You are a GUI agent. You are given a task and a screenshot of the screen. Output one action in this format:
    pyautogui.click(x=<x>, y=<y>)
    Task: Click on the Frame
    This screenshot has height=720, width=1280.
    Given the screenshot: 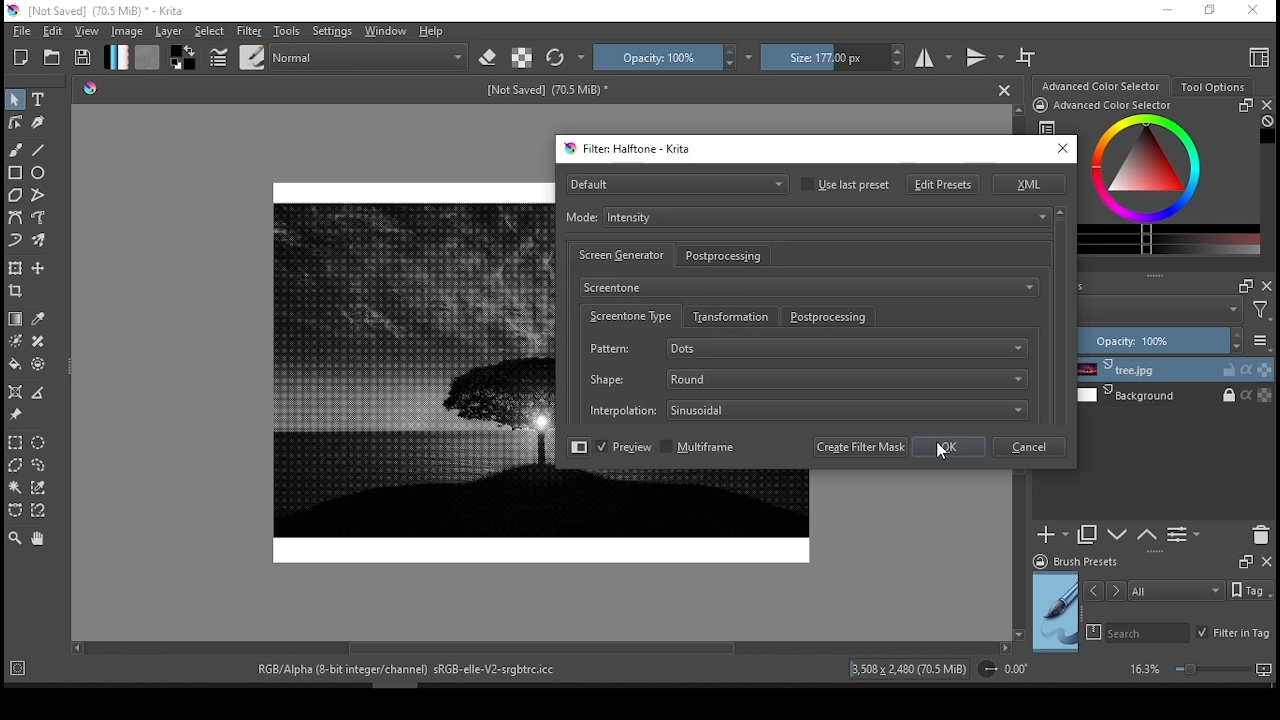 What is the action you would take?
    pyautogui.click(x=1241, y=562)
    